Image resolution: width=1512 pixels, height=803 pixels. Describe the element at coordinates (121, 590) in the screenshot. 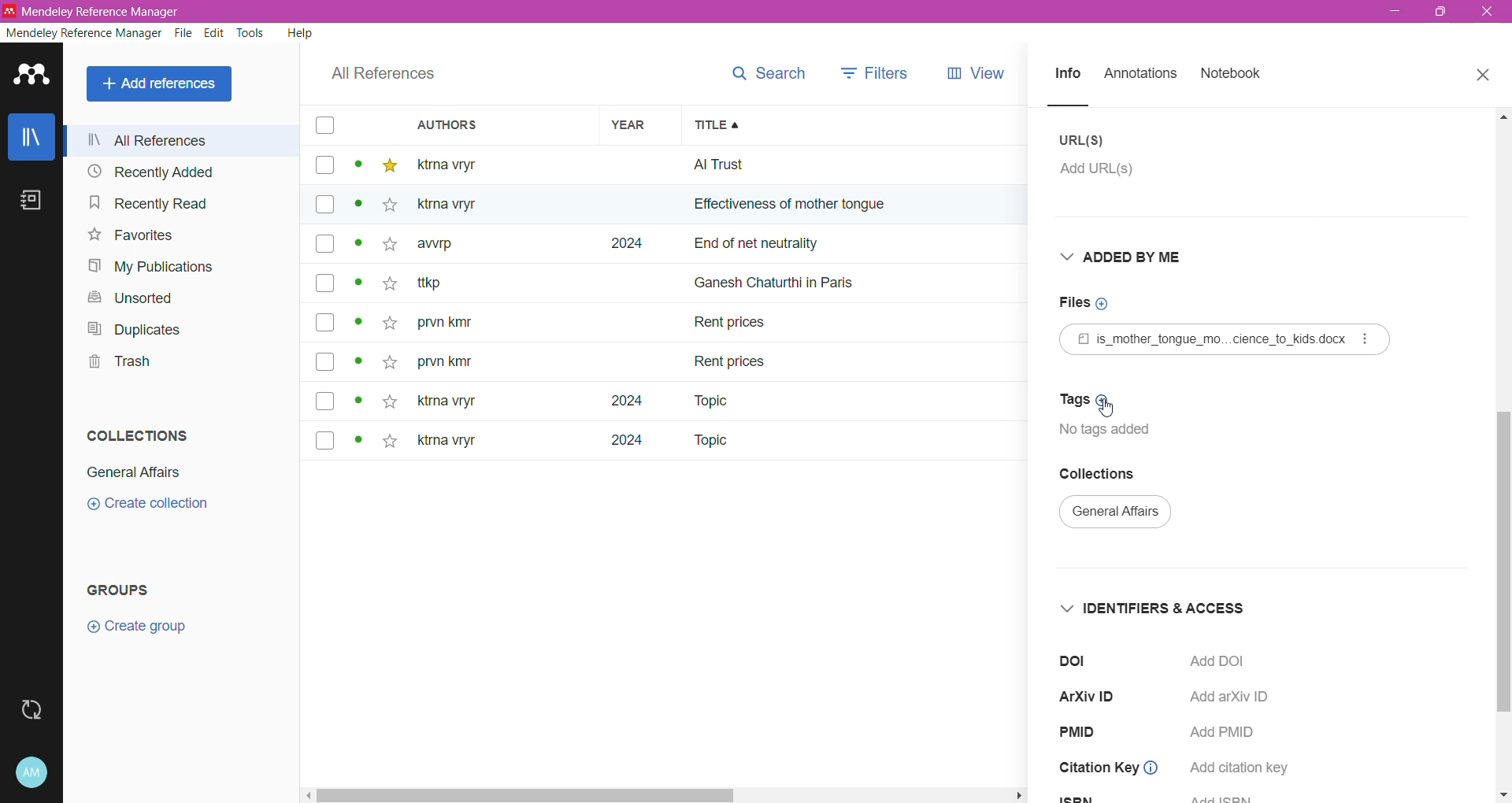

I see `Groups` at that location.